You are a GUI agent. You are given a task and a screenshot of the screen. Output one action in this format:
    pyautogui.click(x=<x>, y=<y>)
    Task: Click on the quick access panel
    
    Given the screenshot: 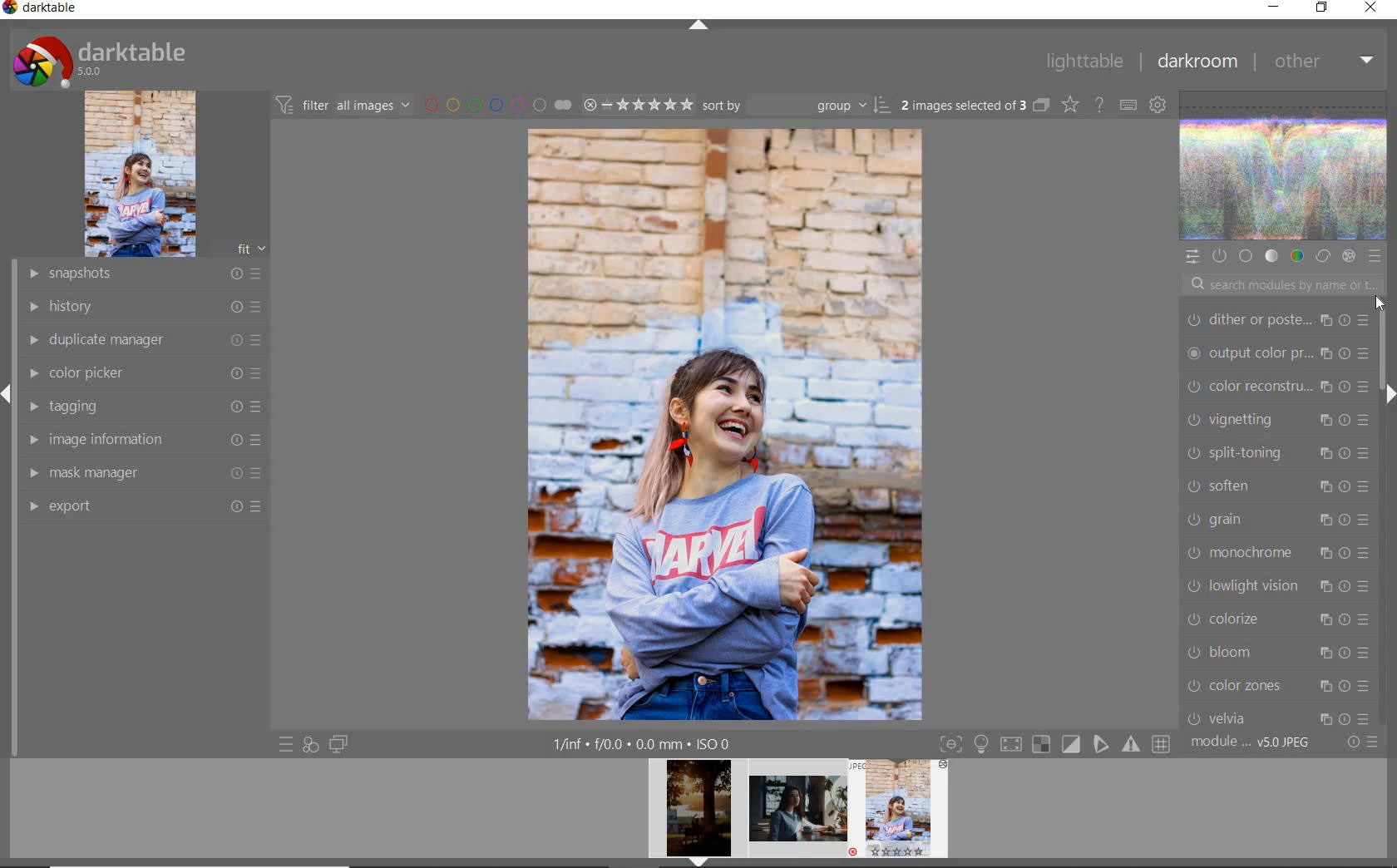 What is the action you would take?
    pyautogui.click(x=1192, y=257)
    